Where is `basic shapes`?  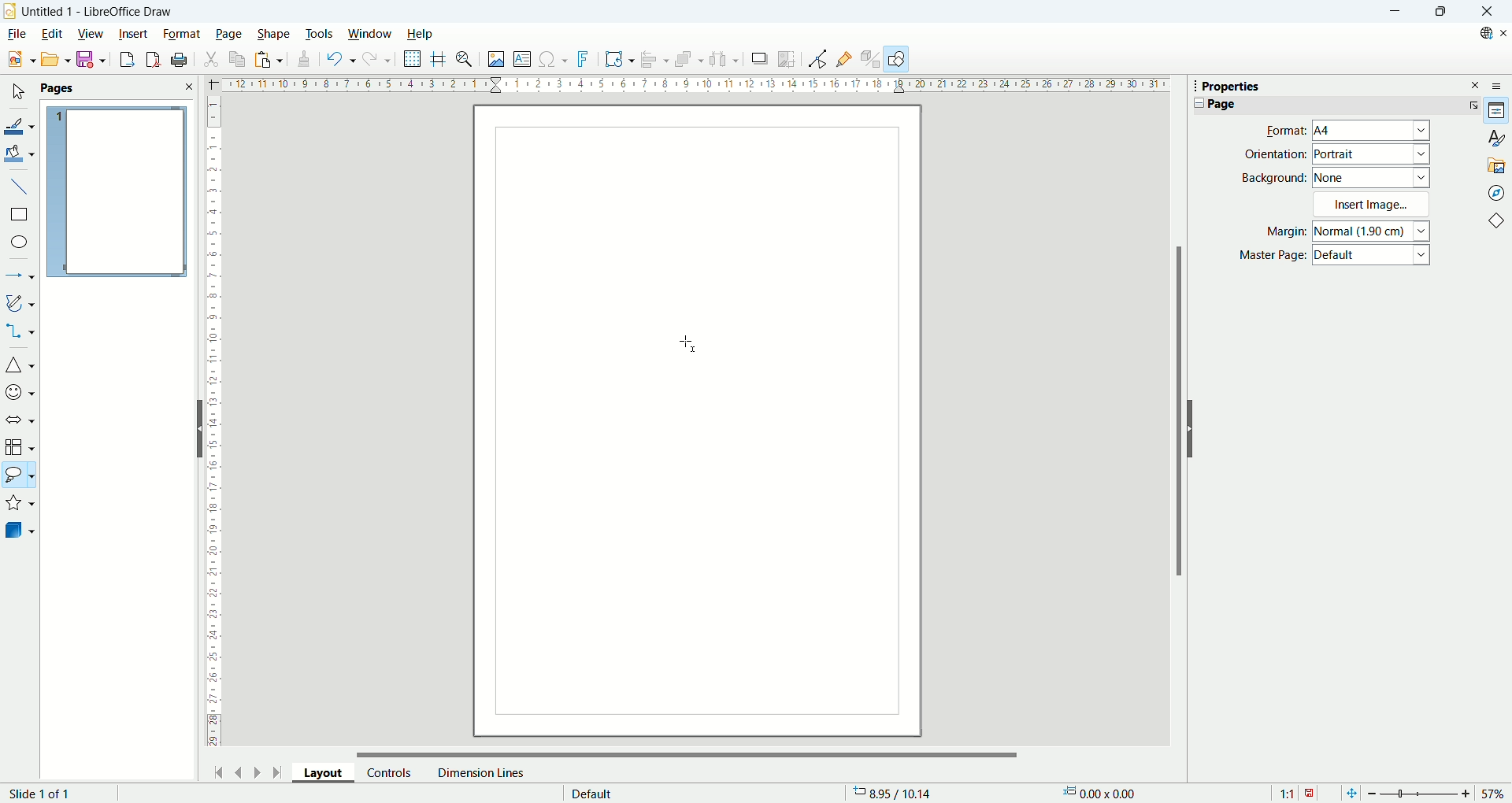
basic shapes is located at coordinates (1499, 223).